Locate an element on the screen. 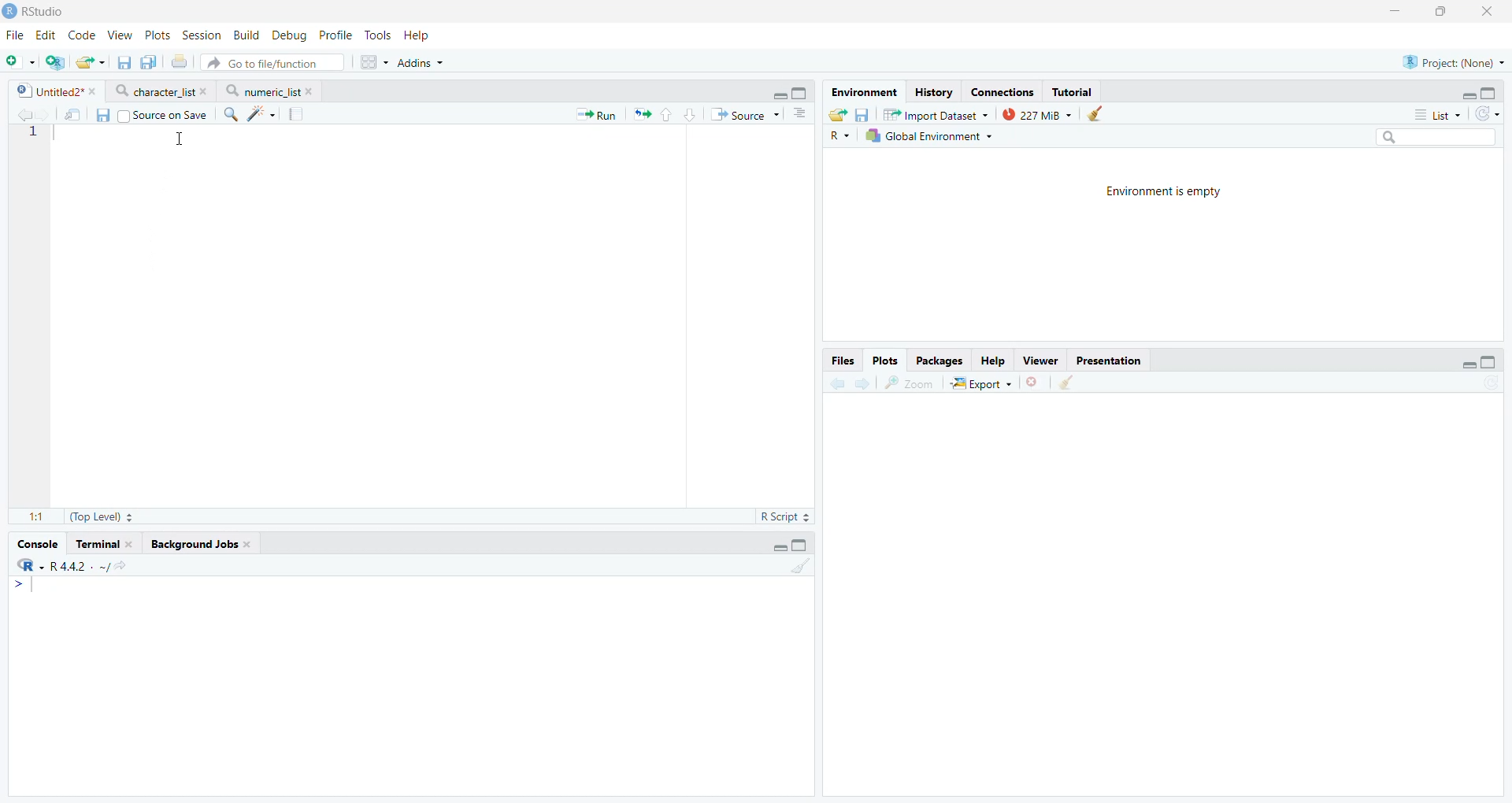 The image size is (1512, 803). Viewer is located at coordinates (1040, 360).